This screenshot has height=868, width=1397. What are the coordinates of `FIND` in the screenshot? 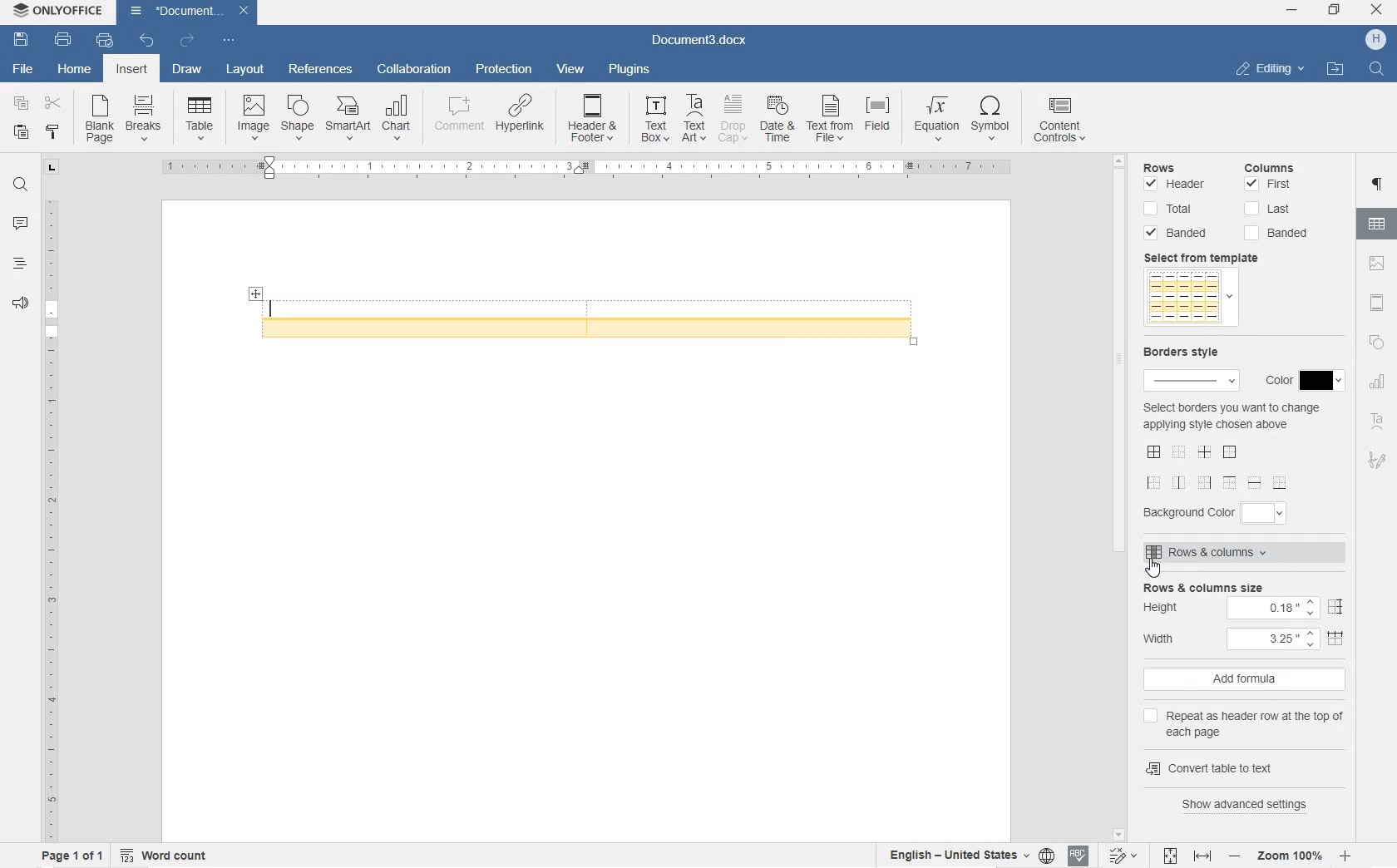 It's located at (19, 187).